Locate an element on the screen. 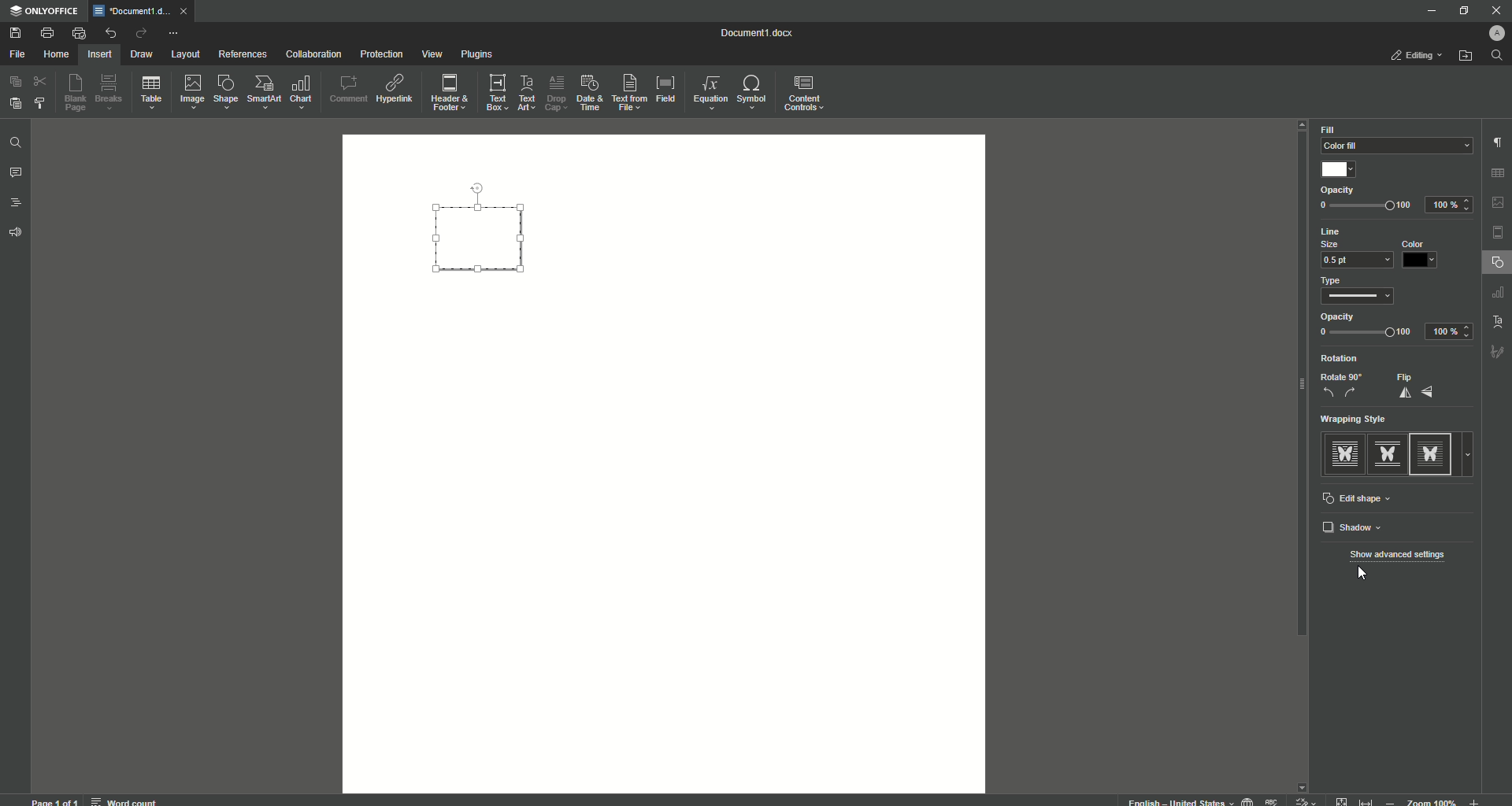  Rotation is located at coordinates (1342, 359).